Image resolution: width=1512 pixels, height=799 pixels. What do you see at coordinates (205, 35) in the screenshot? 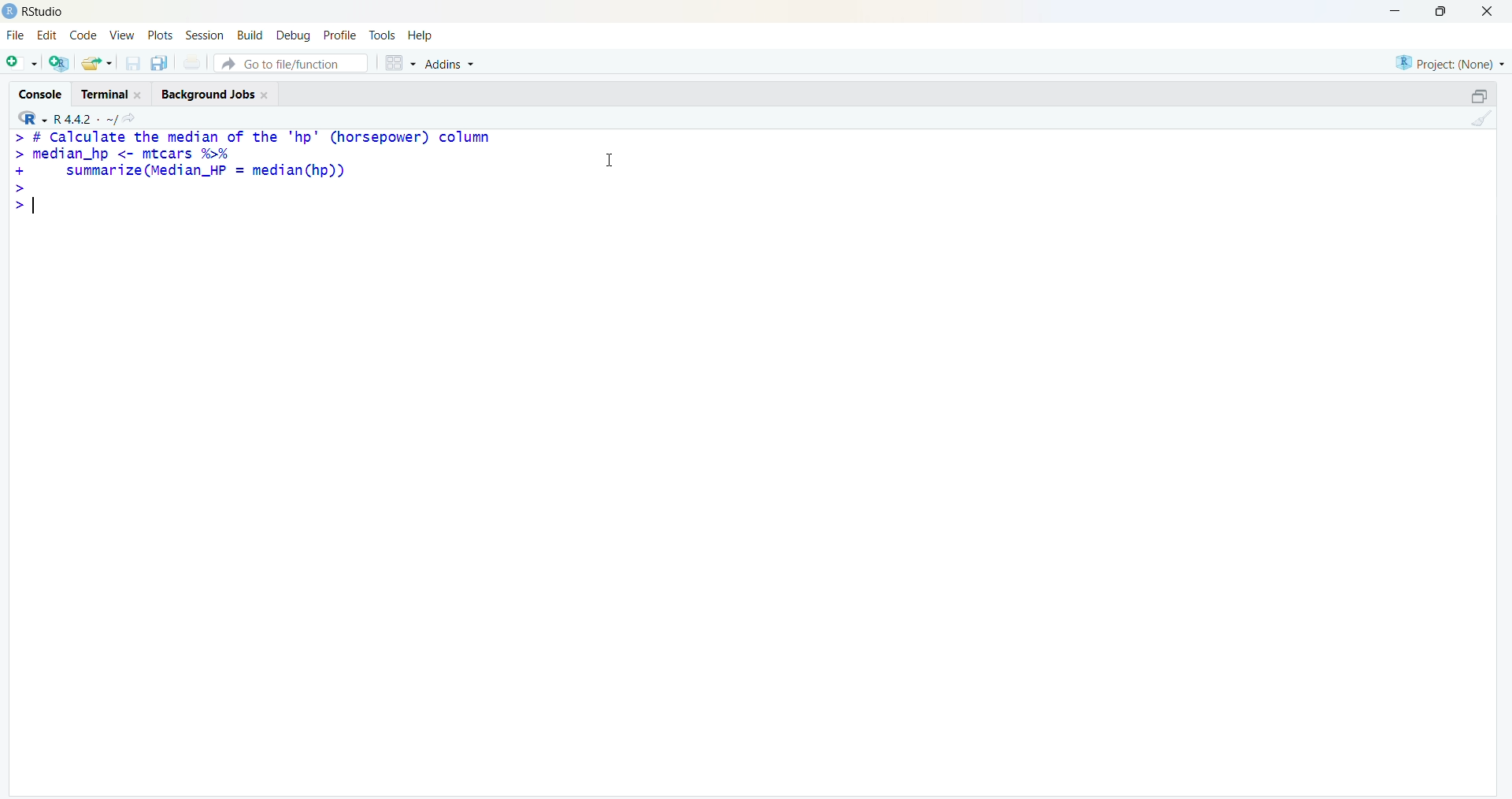
I see `session` at bounding box center [205, 35].